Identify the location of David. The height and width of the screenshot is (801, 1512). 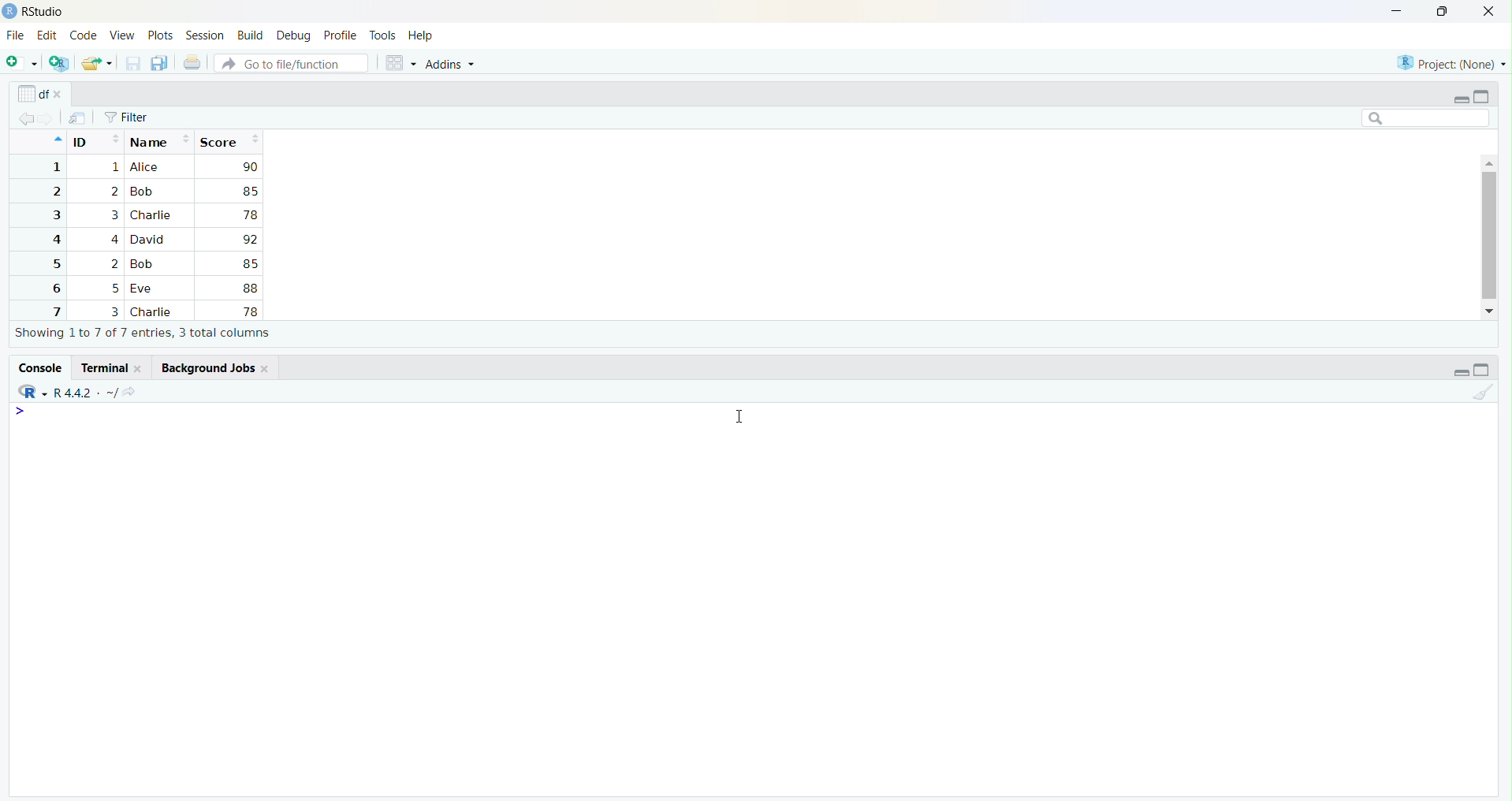
(150, 238).